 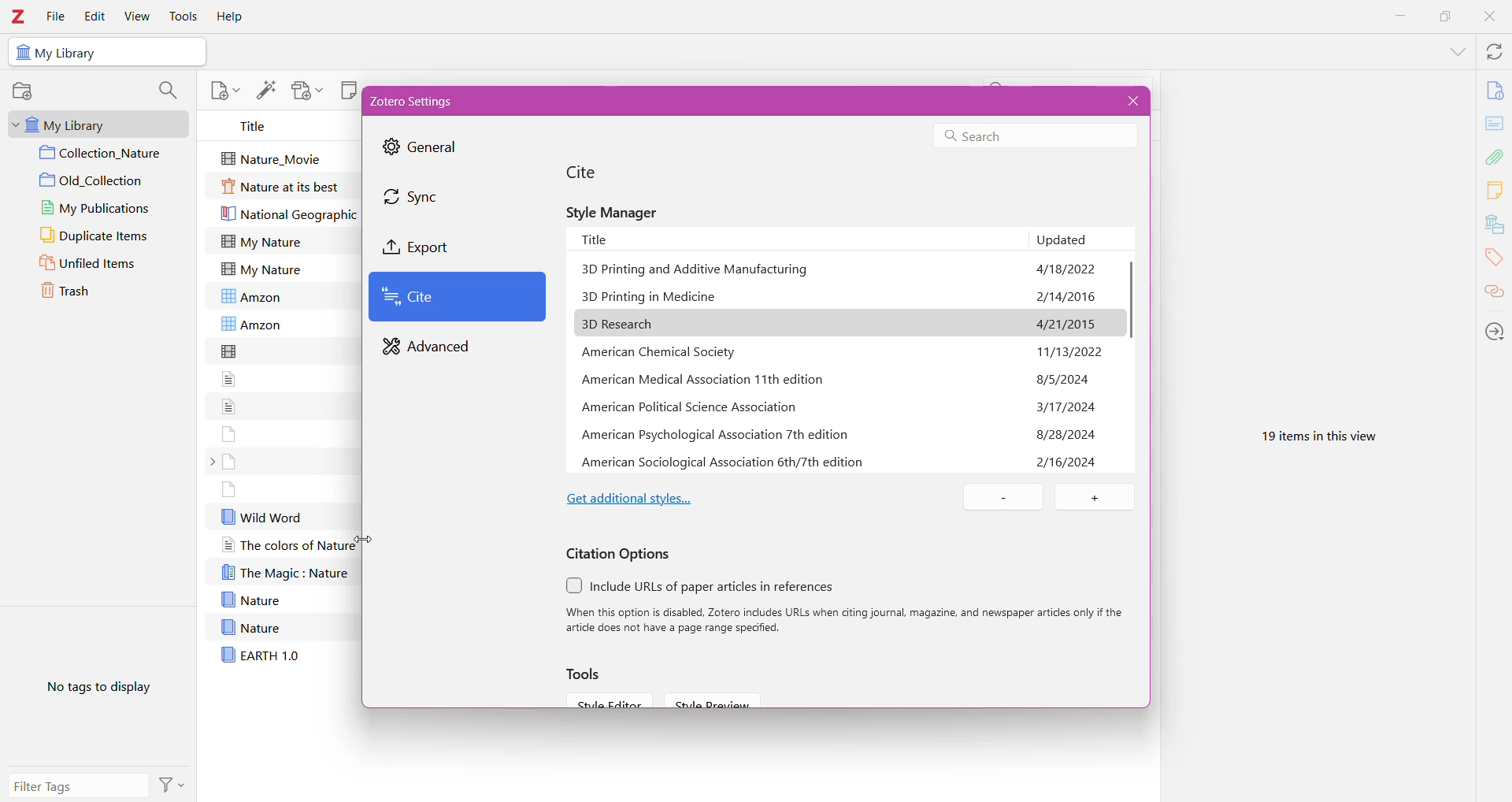 What do you see at coordinates (231, 378) in the screenshot?
I see `file without title` at bounding box center [231, 378].